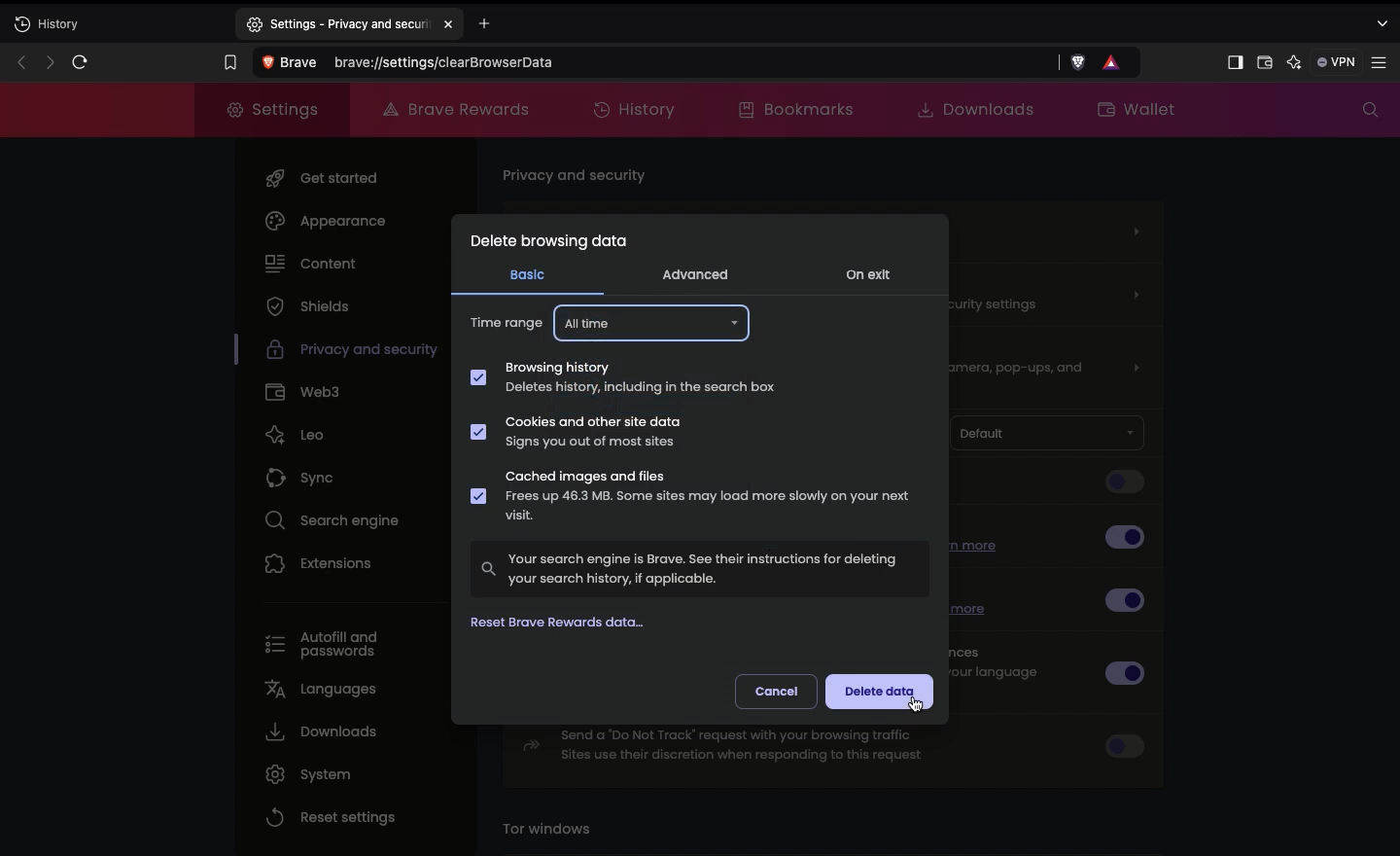 This screenshot has height=856, width=1400. What do you see at coordinates (331, 817) in the screenshot?
I see `Reset settings` at bounding box center [331, 817].